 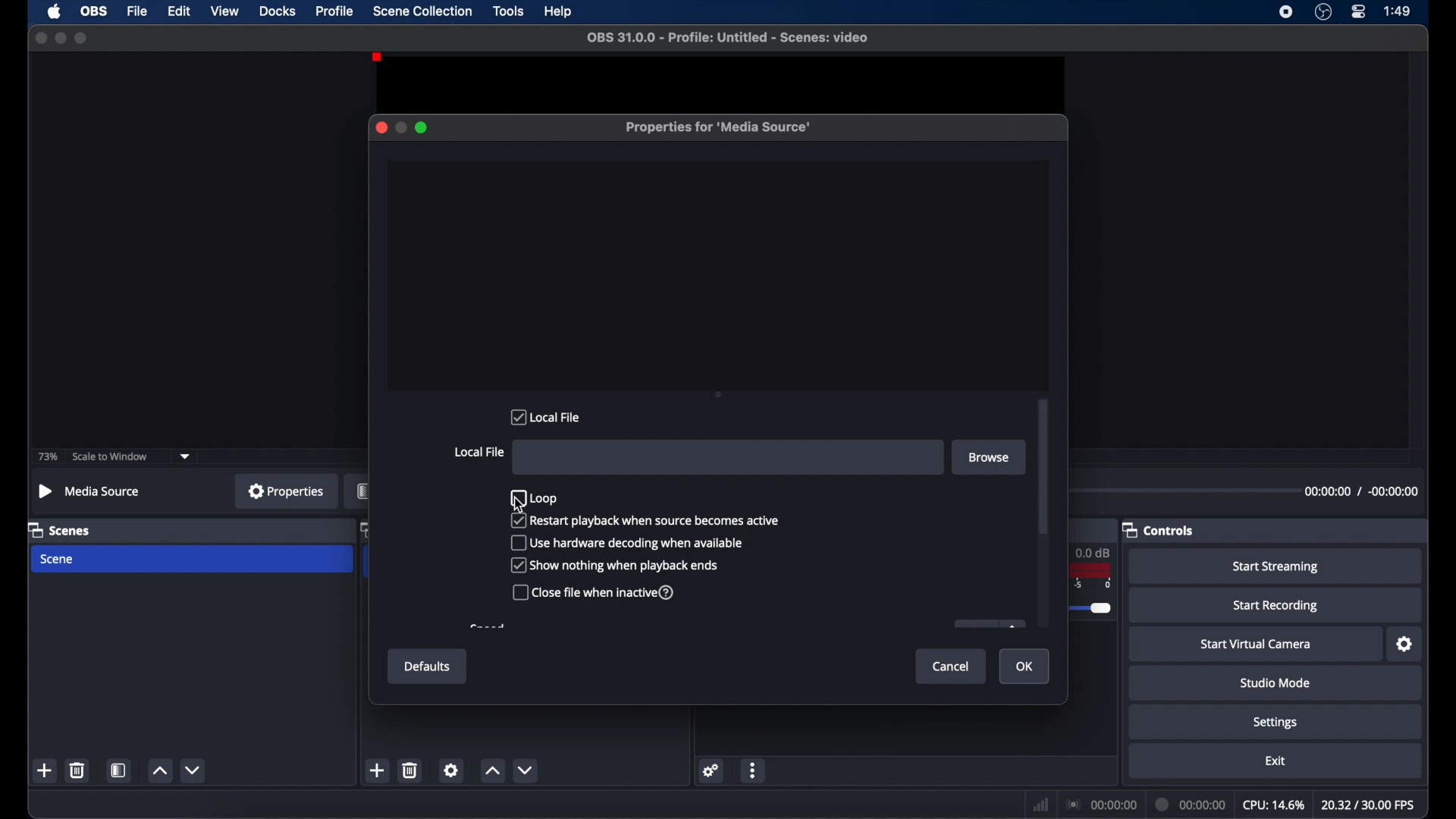 I want to click on network, so click(x=1041, y=803).